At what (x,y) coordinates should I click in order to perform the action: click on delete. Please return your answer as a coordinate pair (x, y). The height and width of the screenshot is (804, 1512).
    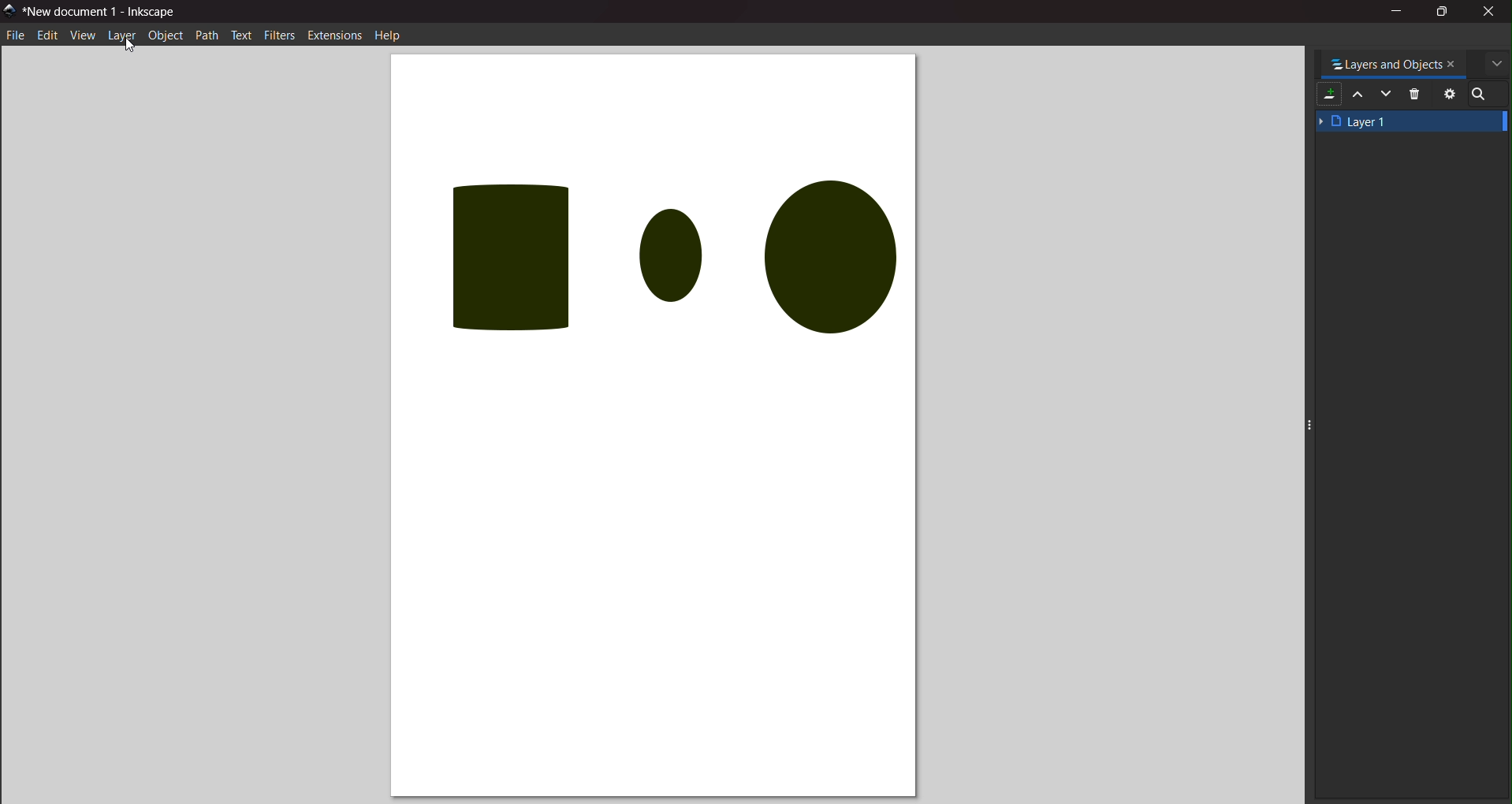
    Looking at the image, I should click on (1417, 93).